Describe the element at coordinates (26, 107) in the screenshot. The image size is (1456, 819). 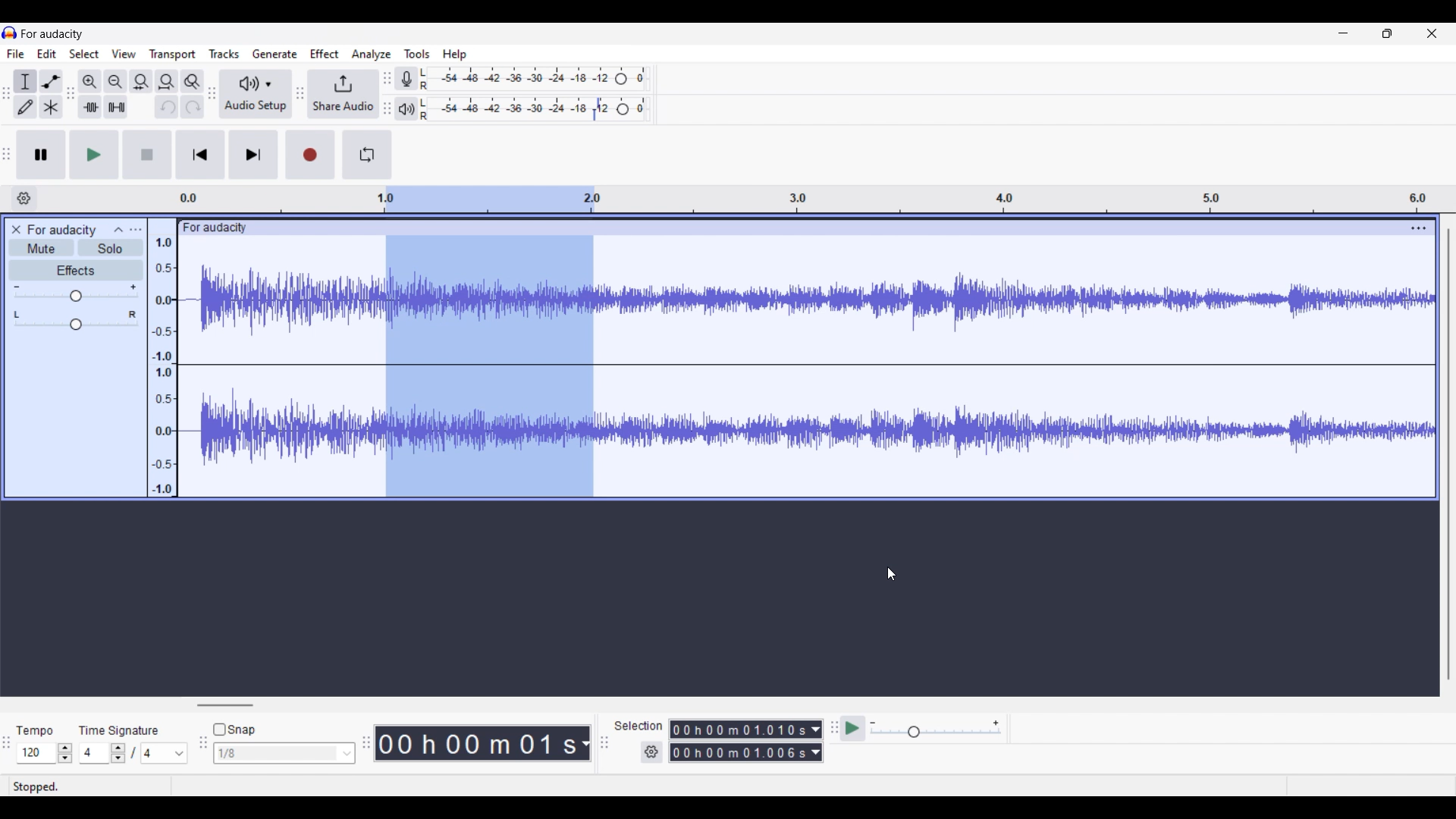
I see `Draw tool` at that location.